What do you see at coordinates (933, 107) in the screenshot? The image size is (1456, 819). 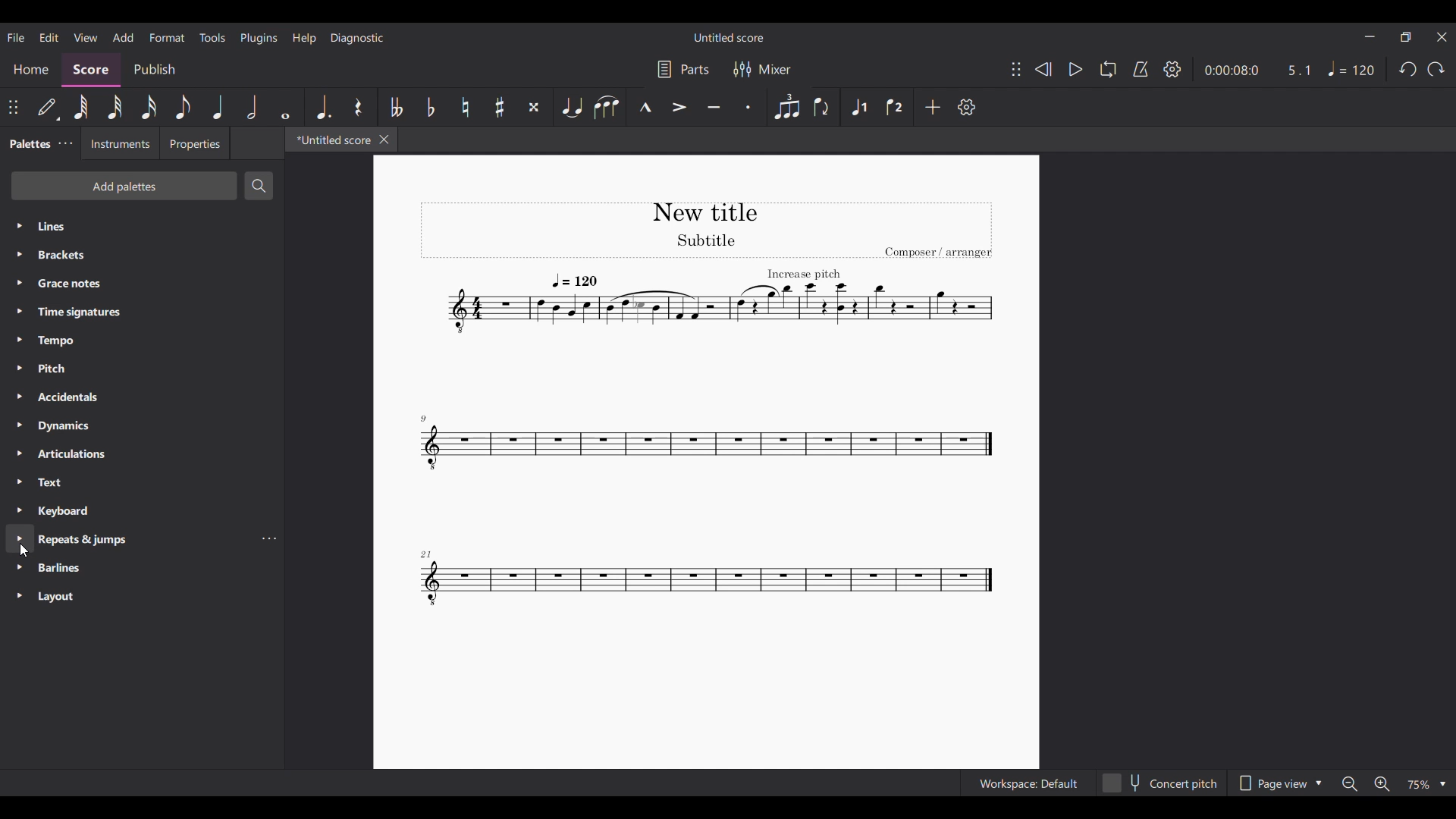 I see `Add` at bounding box center [933, 107].